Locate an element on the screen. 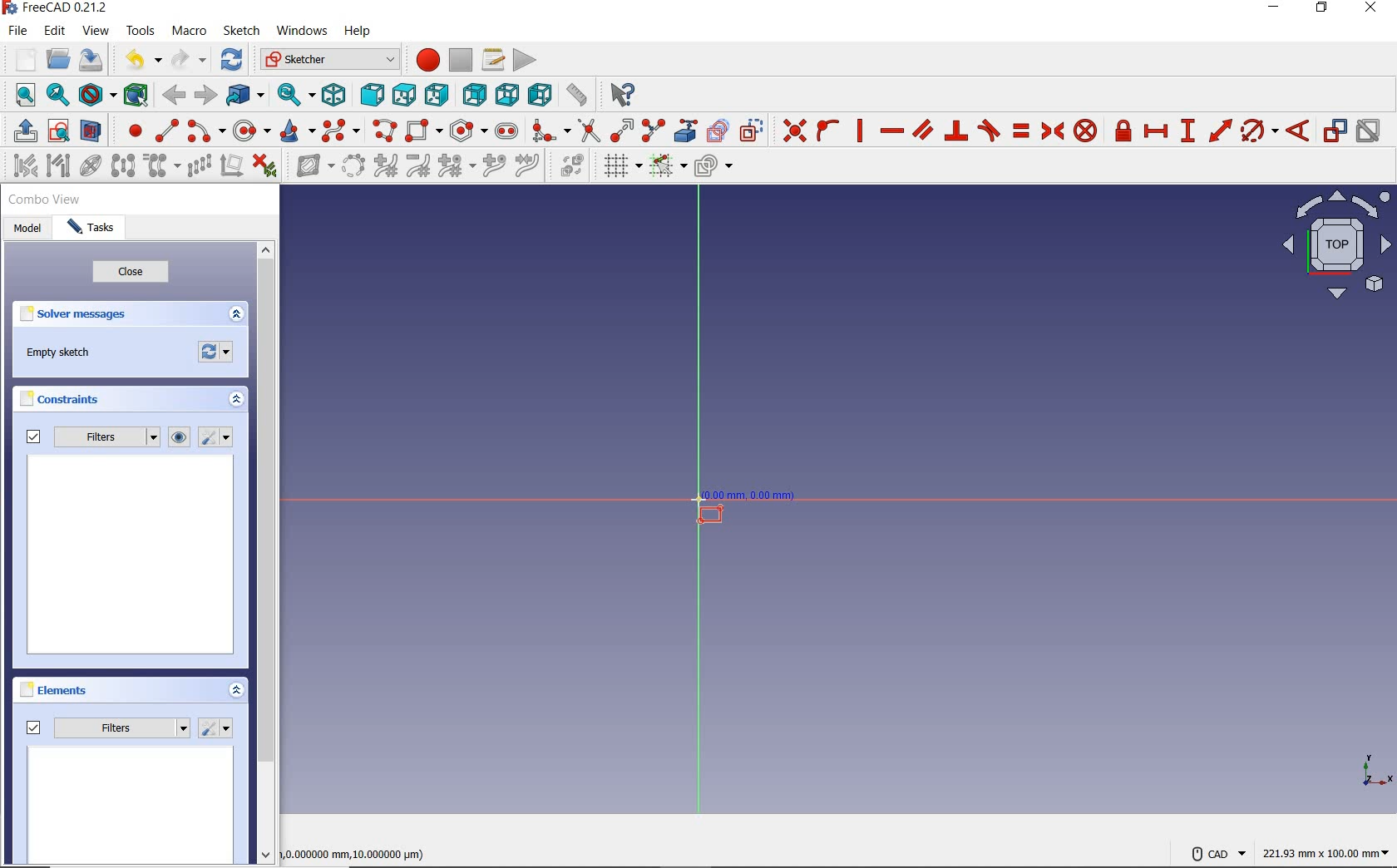 The width and height of the screenshot is (1397, 868). model is located at coordinates (27, 229).